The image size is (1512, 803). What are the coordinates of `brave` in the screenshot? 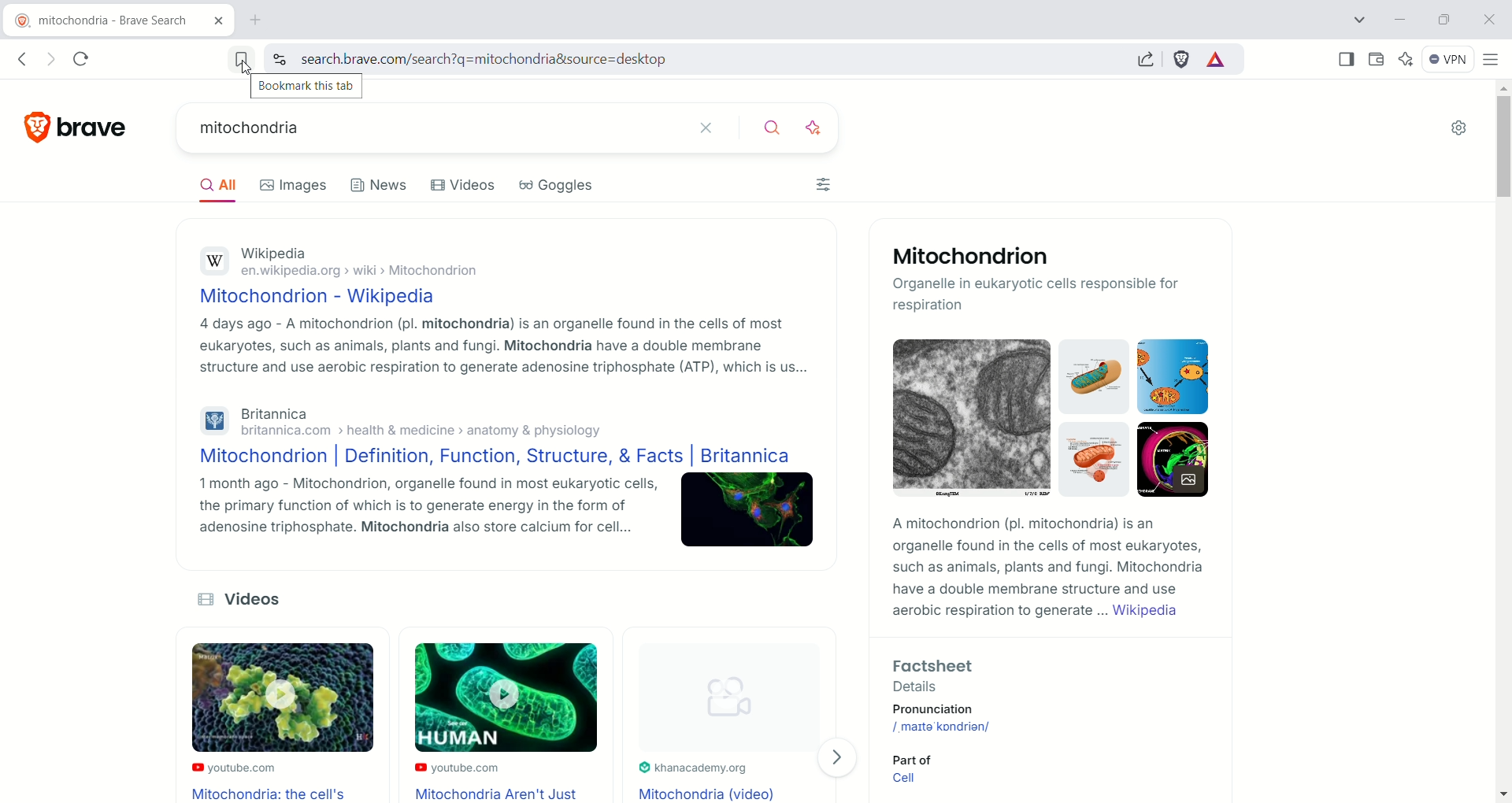 It's located at (95, 124).